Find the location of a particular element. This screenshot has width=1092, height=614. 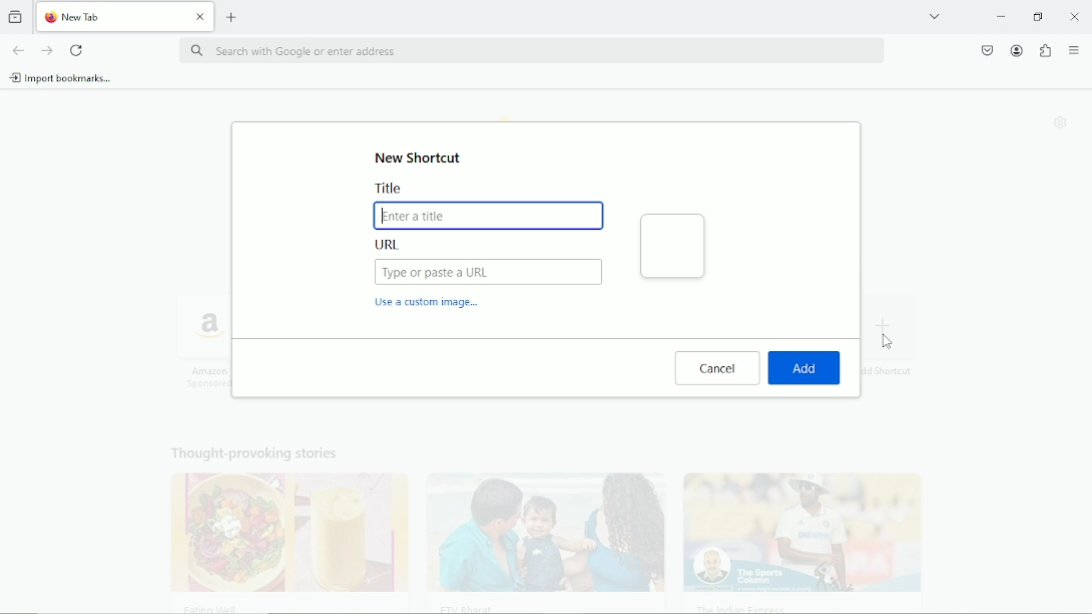

Close is located at coordinates (1075, 16).